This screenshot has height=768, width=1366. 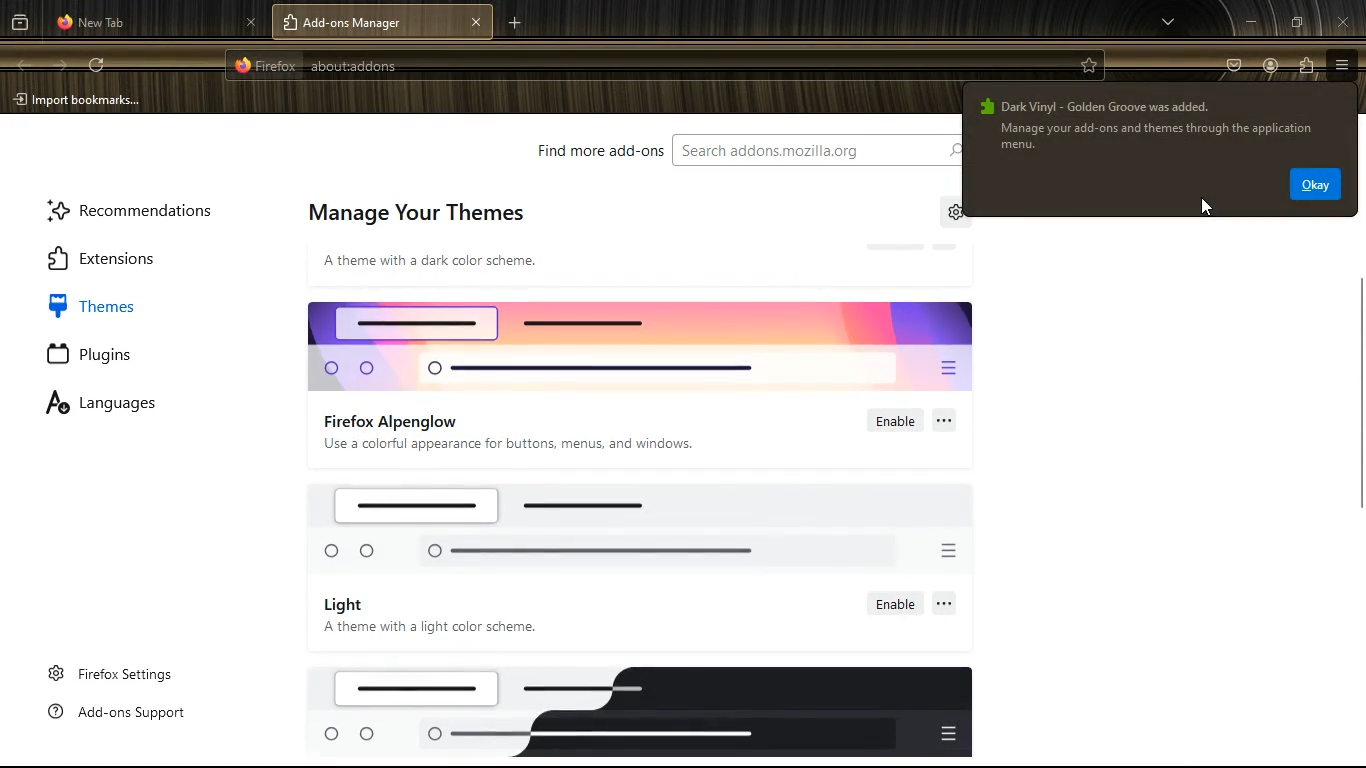 What do you see at coordinates (1346, 20) in the screenshot?
I see `close` at bounding box center [1346, 20].